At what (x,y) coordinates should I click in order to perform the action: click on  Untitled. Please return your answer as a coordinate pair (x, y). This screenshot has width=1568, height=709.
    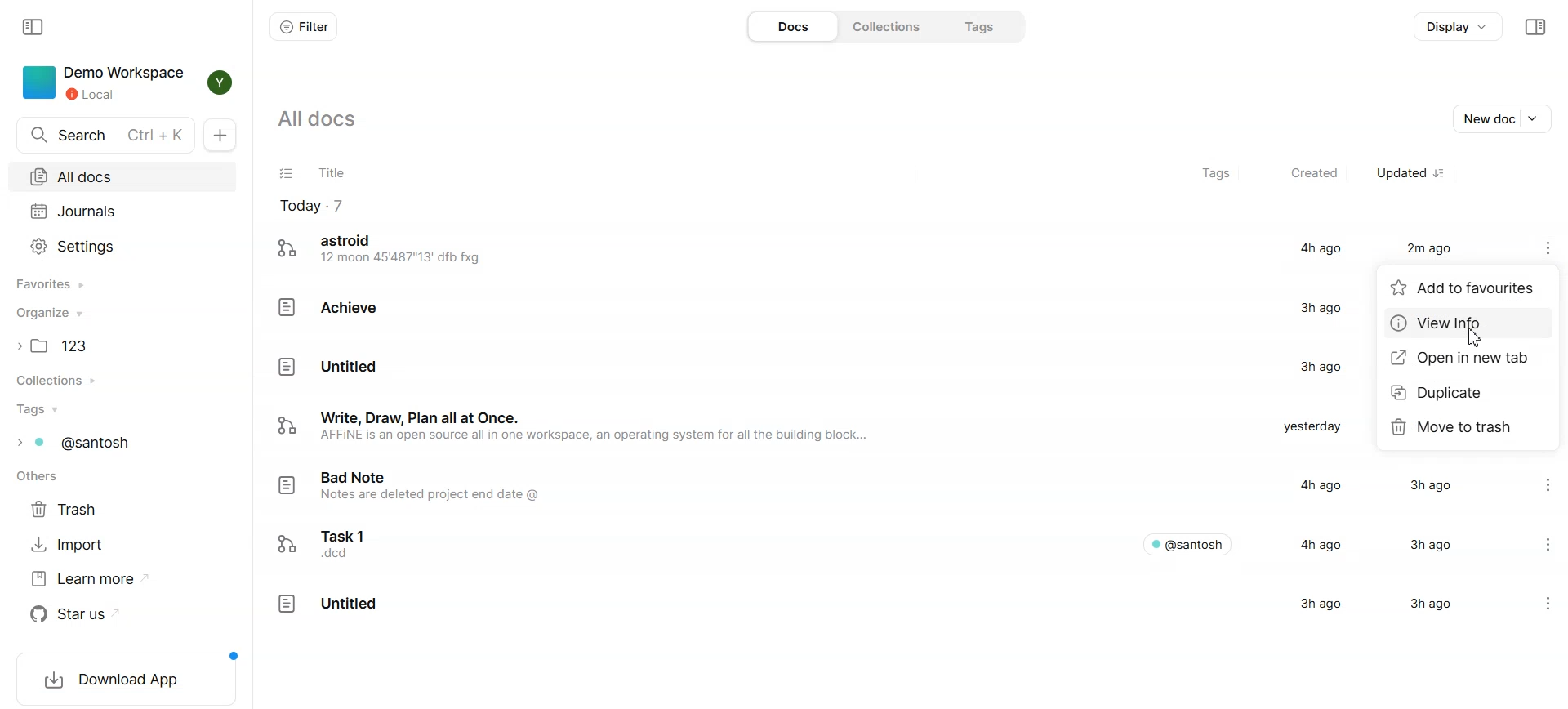
    Looking at the image, I should click on (328, 366).